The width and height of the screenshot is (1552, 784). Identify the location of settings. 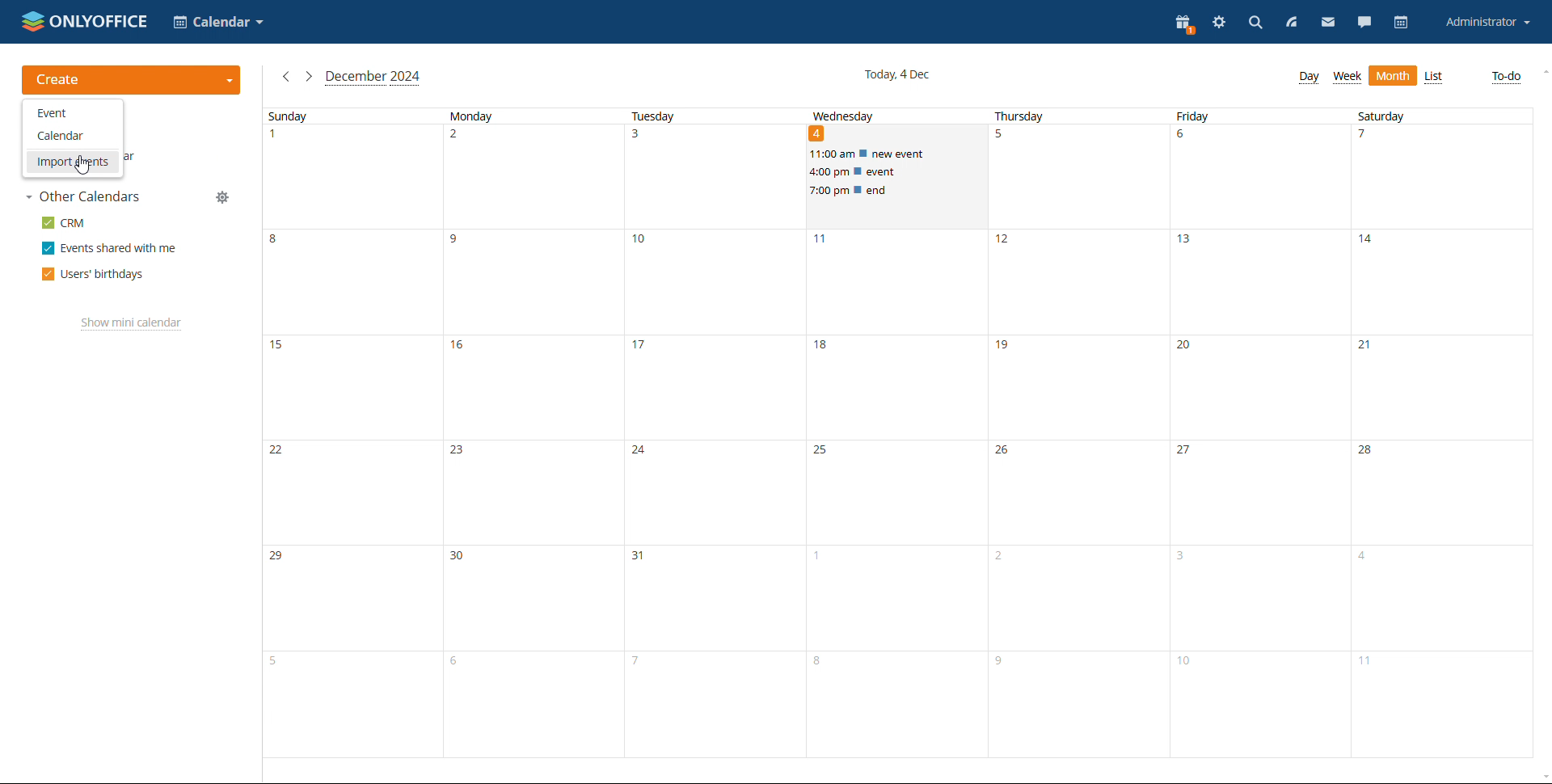
(1217, 25).